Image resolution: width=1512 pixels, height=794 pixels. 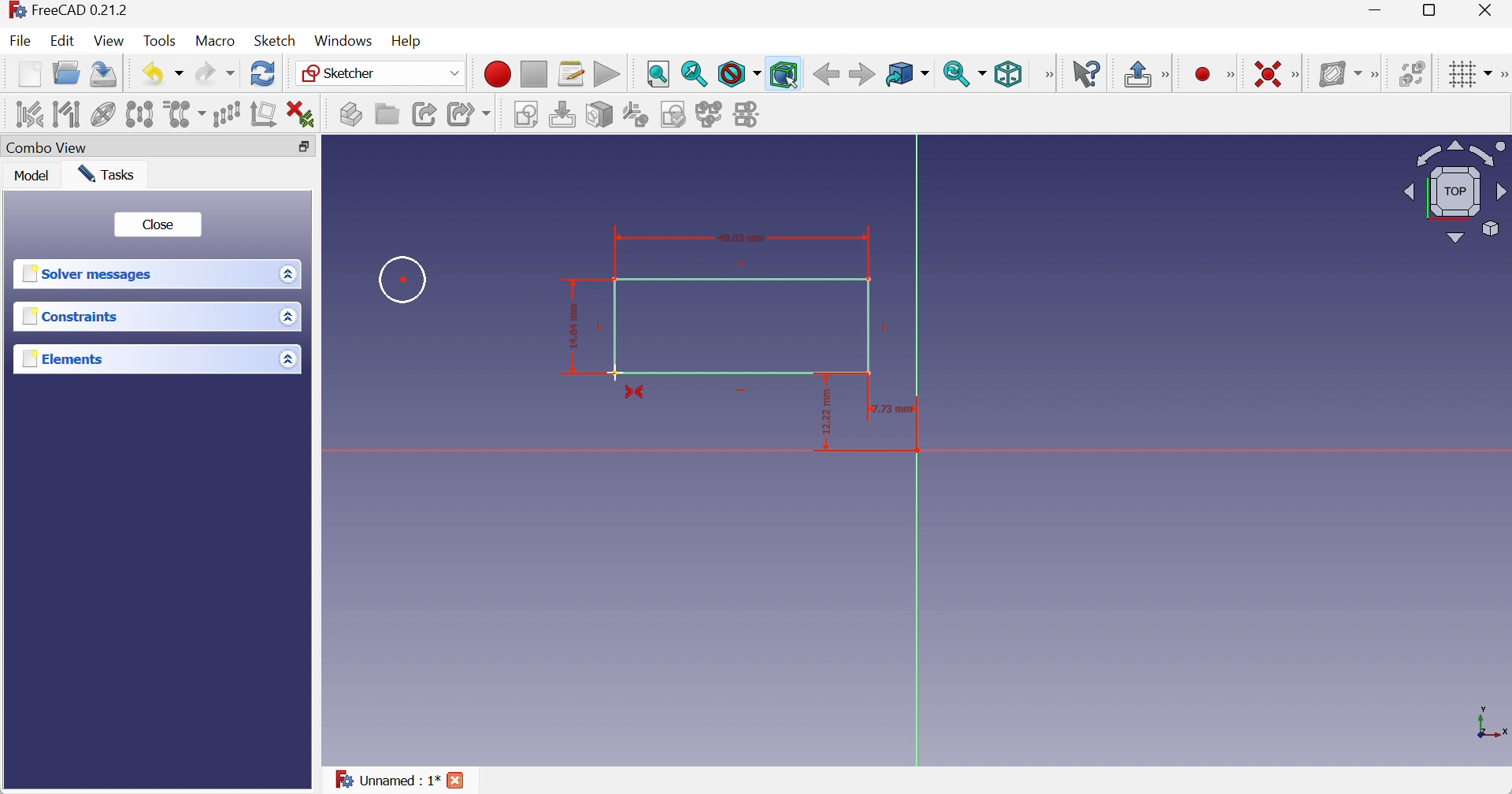 I want to click on Macro, so click(x=213, y=41).